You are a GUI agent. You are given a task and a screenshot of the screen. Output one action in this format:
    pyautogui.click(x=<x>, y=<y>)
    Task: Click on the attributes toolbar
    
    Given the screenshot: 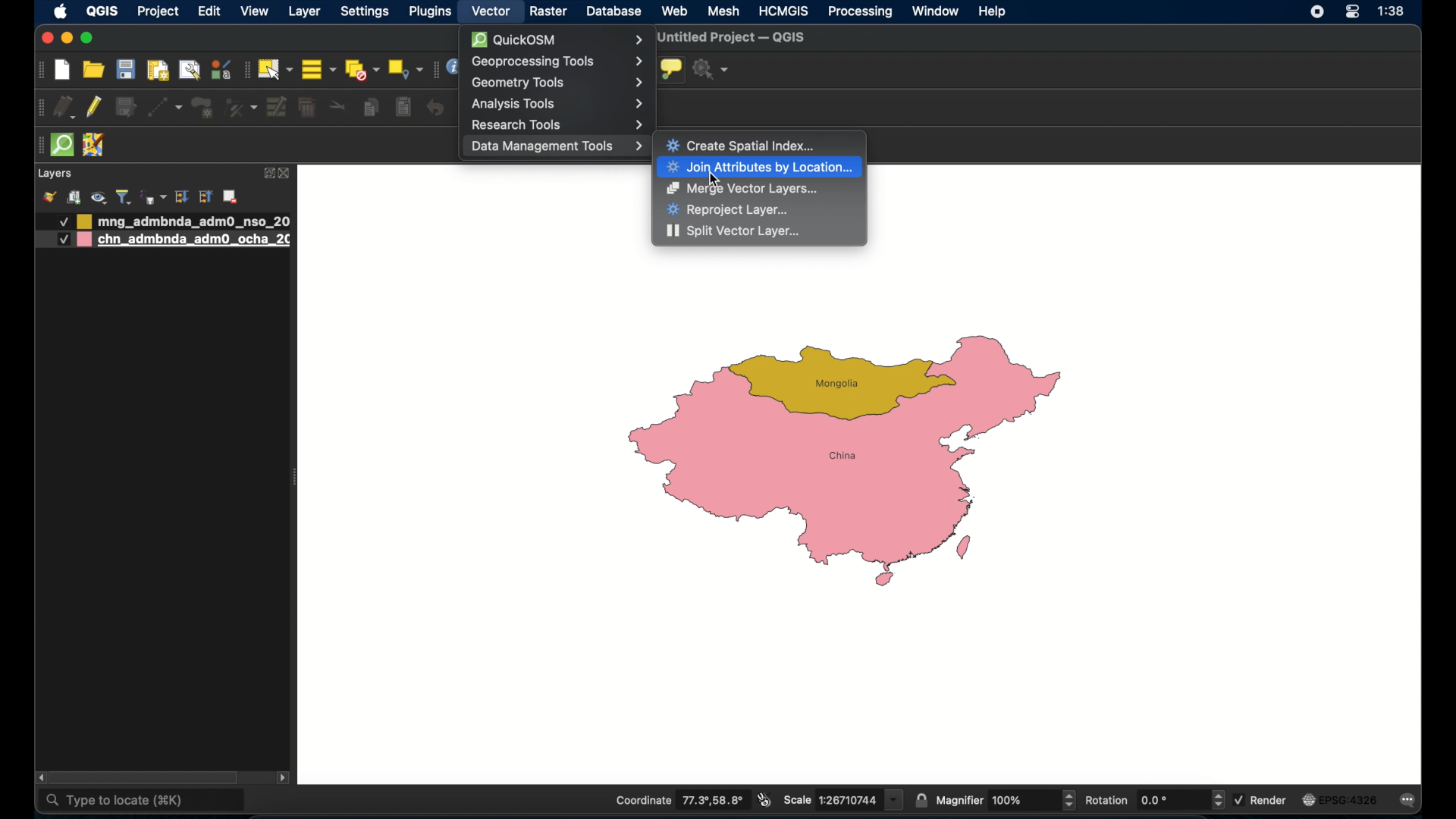 What is the action you would take?
    pyautogui.click(x=433, y=69)
    